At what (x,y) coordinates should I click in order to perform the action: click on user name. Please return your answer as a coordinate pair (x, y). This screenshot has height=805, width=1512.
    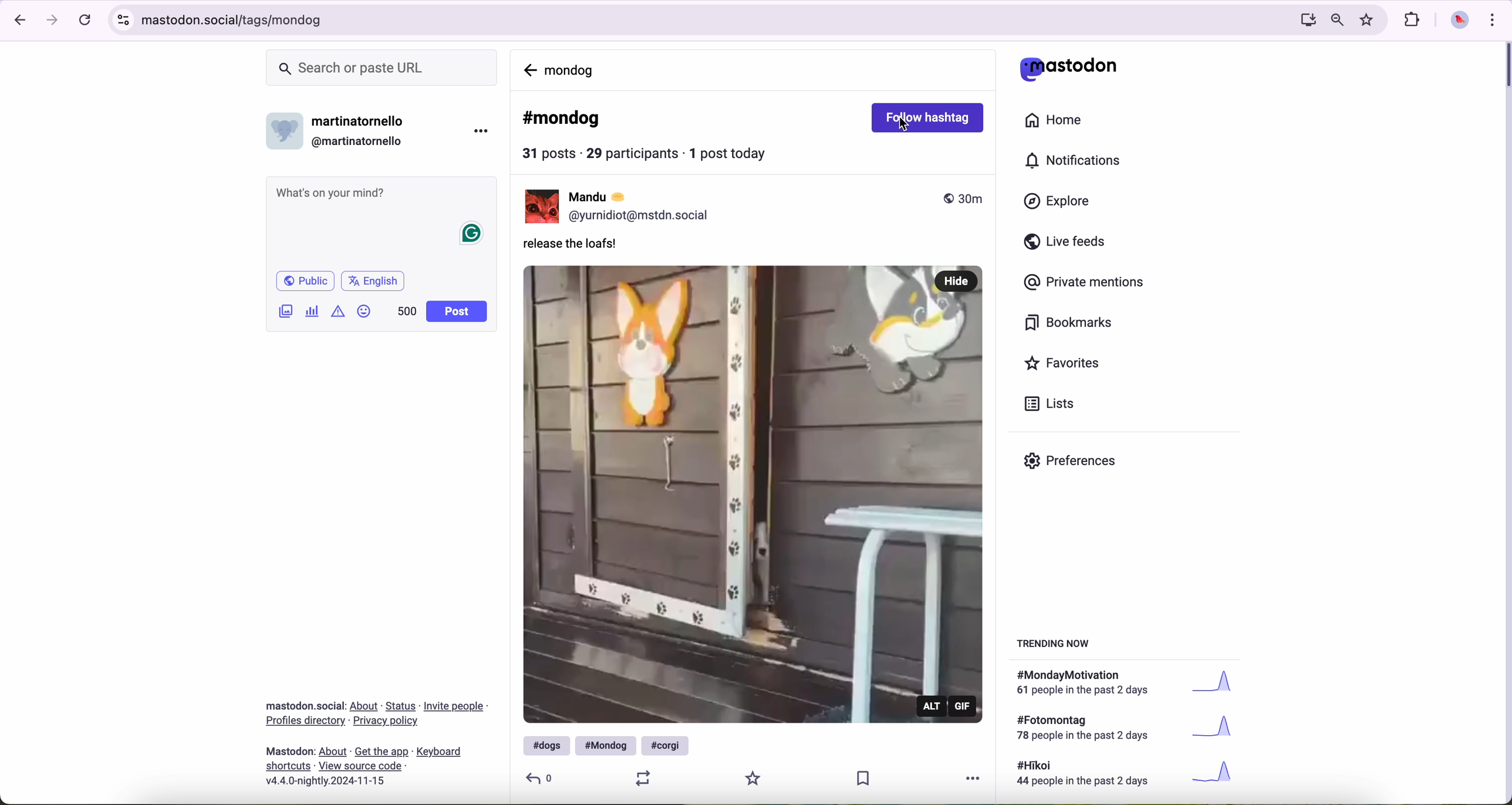
    Looking at the image, I should click on (607, 197).